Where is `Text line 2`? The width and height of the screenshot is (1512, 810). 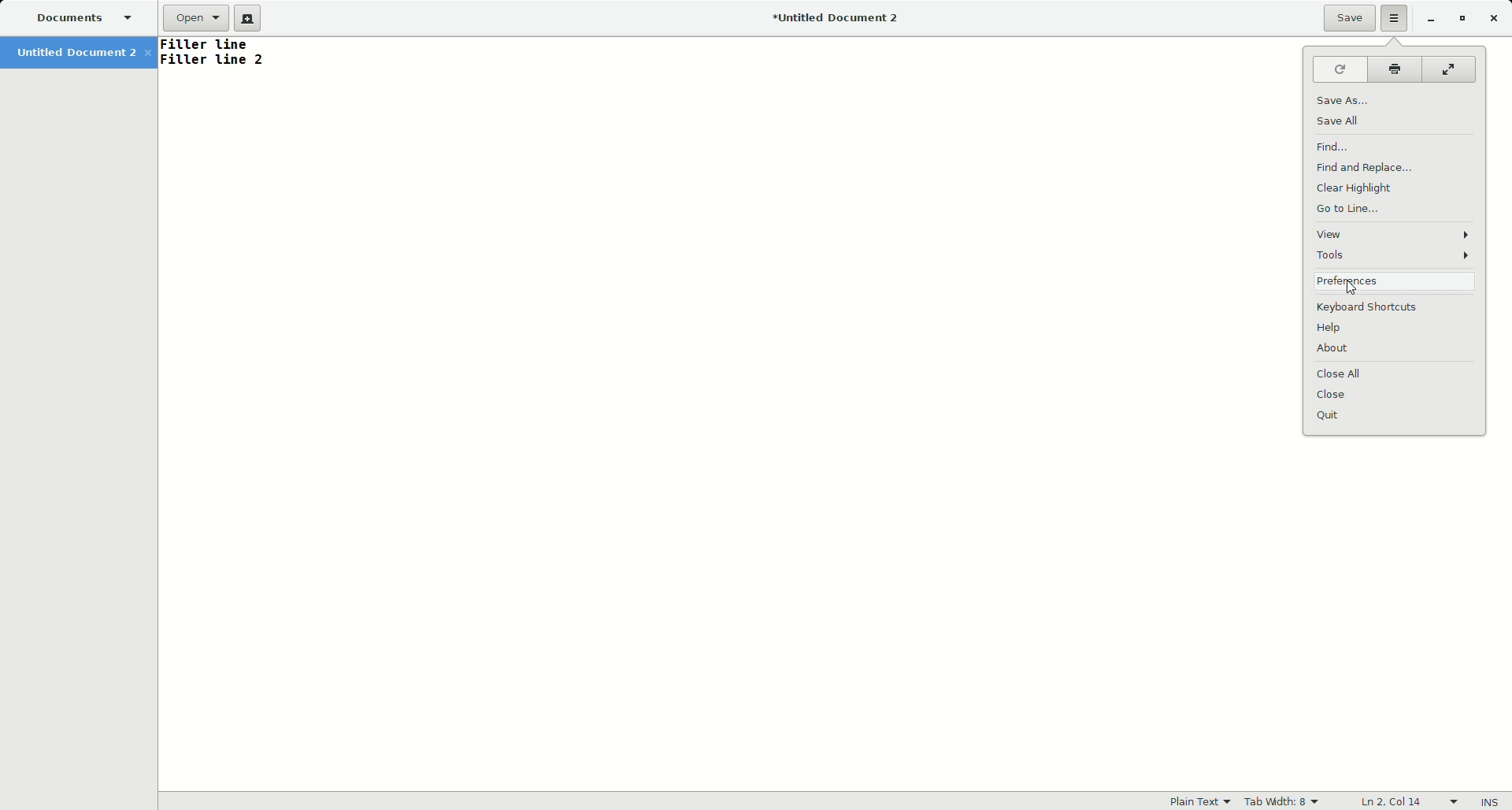 Text line 2 is located at coordinates (214, 61).